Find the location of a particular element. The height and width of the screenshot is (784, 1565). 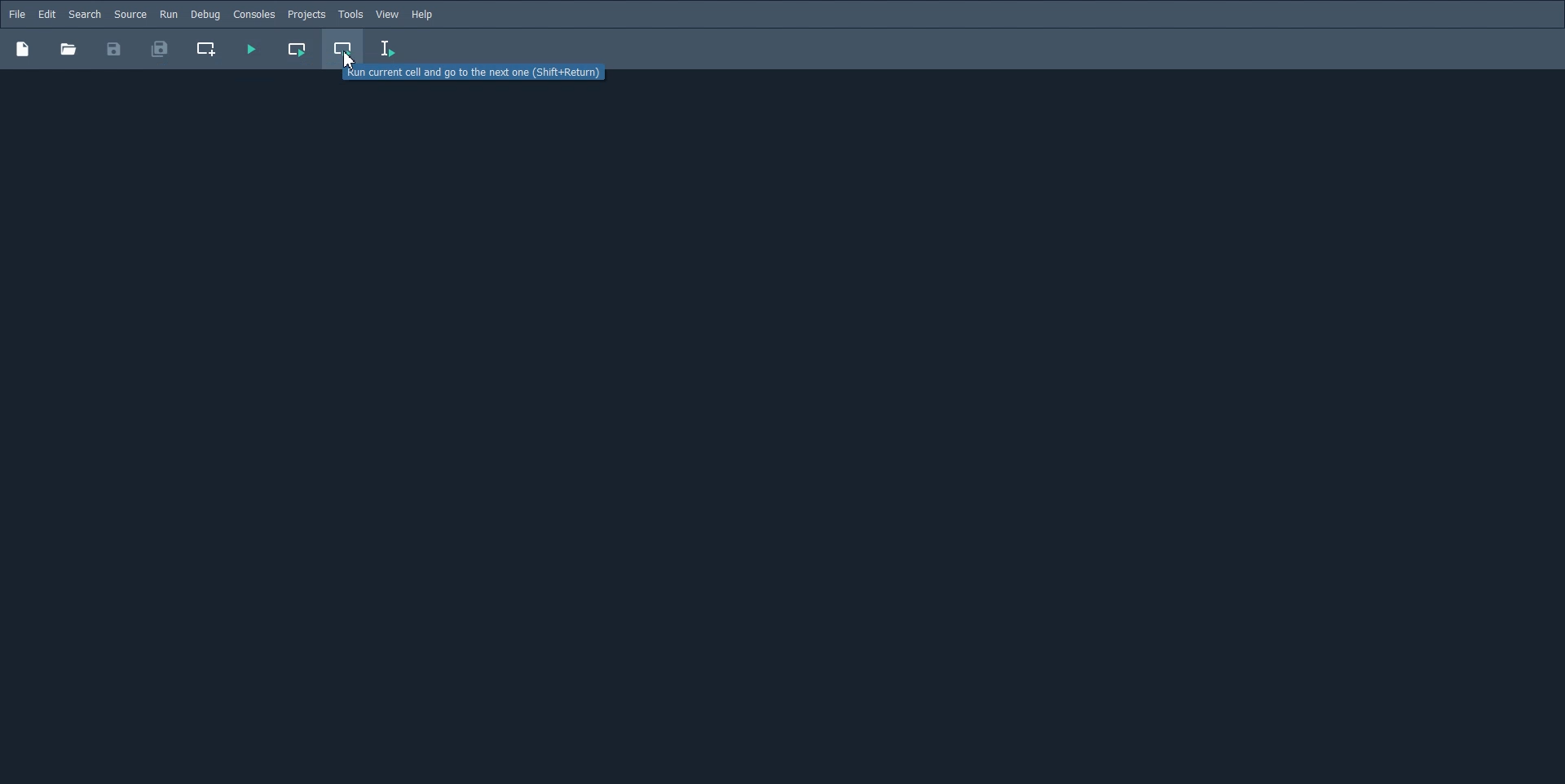

Help is located at coordinates (424, 15).